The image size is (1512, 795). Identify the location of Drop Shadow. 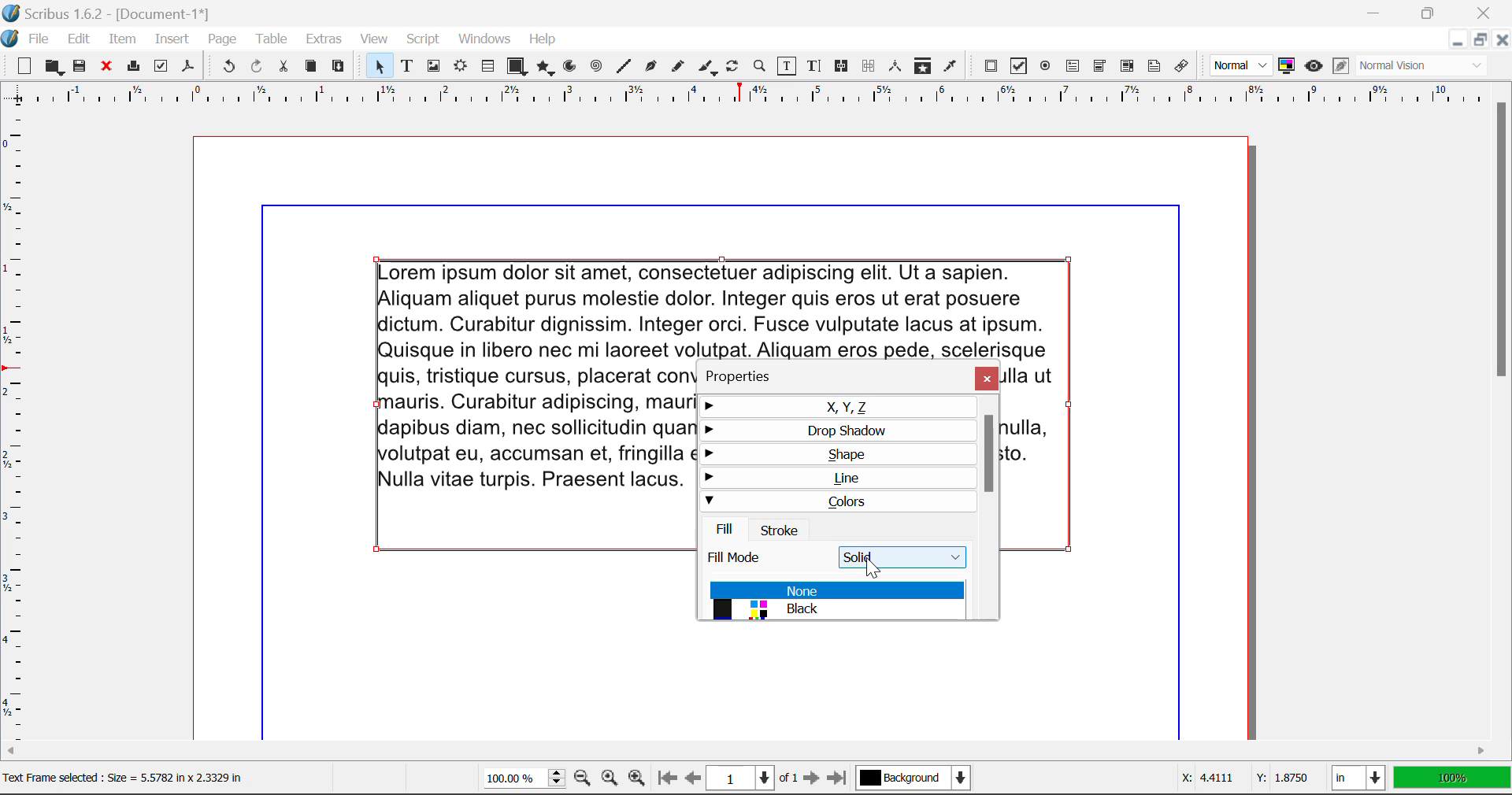
(839, 431).